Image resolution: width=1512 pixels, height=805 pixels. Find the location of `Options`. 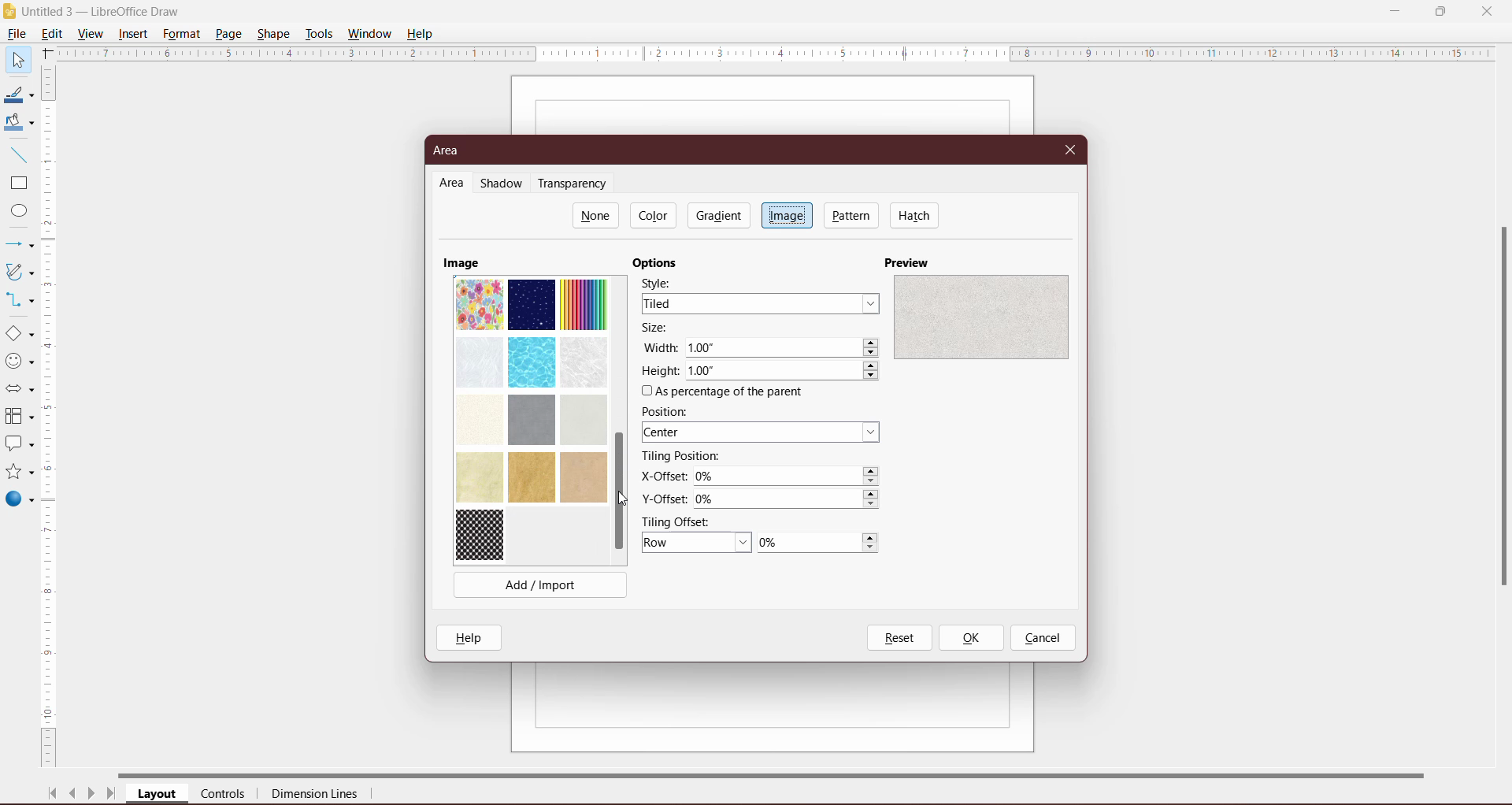

Options is located at coordinates (659, 263).